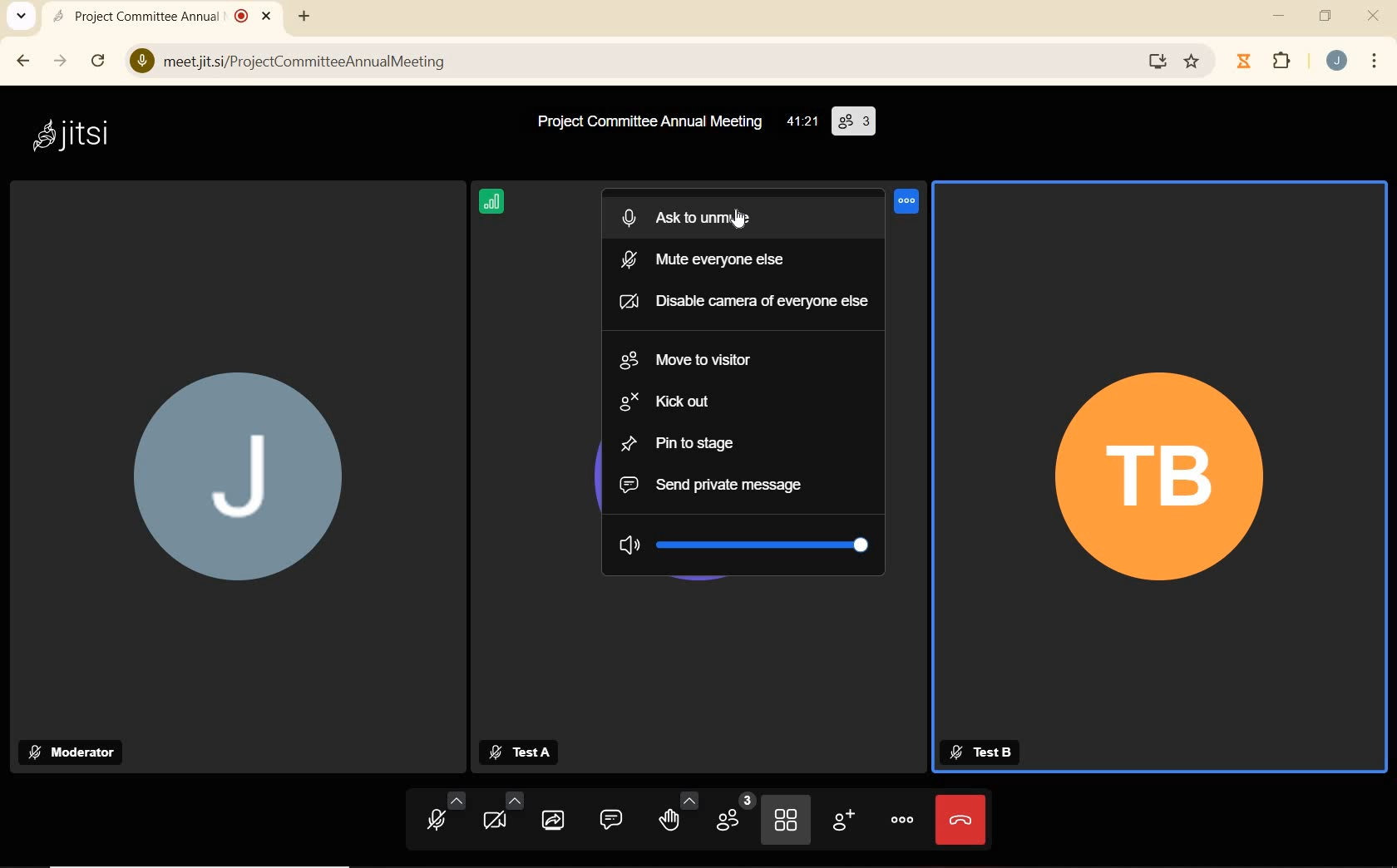  Describe the element at coordinates (801, 123) in the screenshot. I see `41:18` at that location.